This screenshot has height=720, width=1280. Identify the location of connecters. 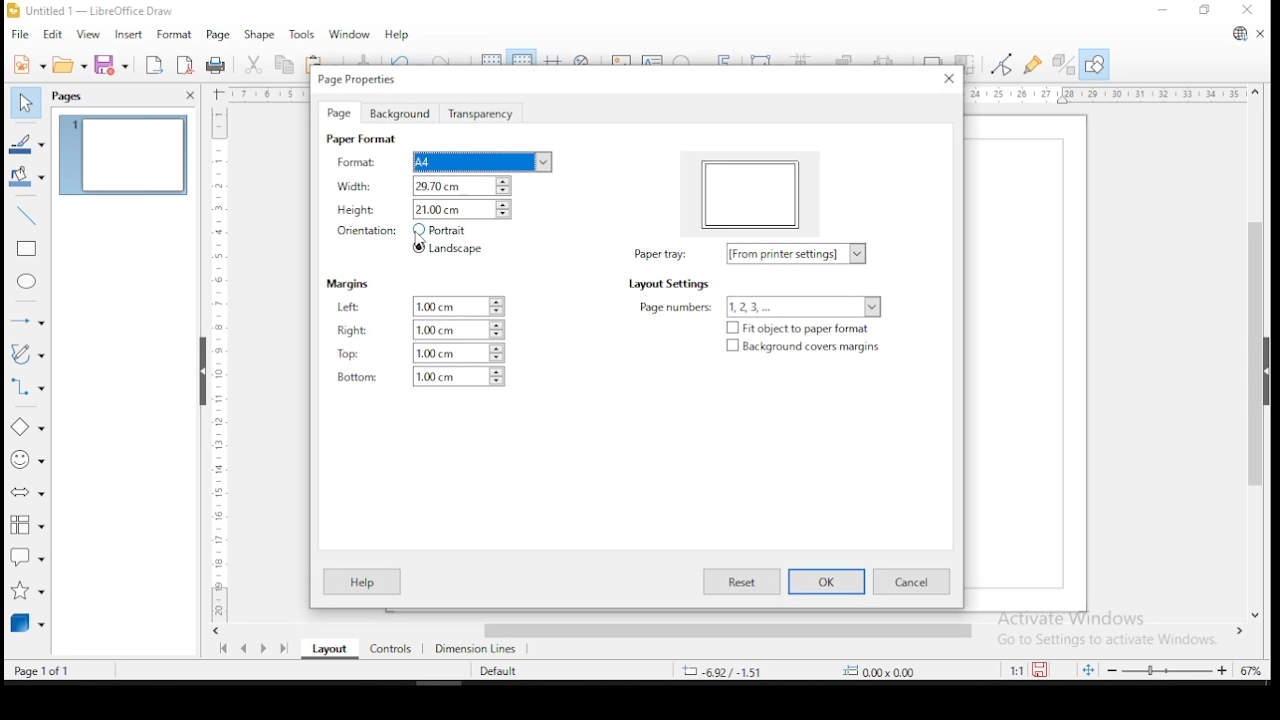
(26, 389).